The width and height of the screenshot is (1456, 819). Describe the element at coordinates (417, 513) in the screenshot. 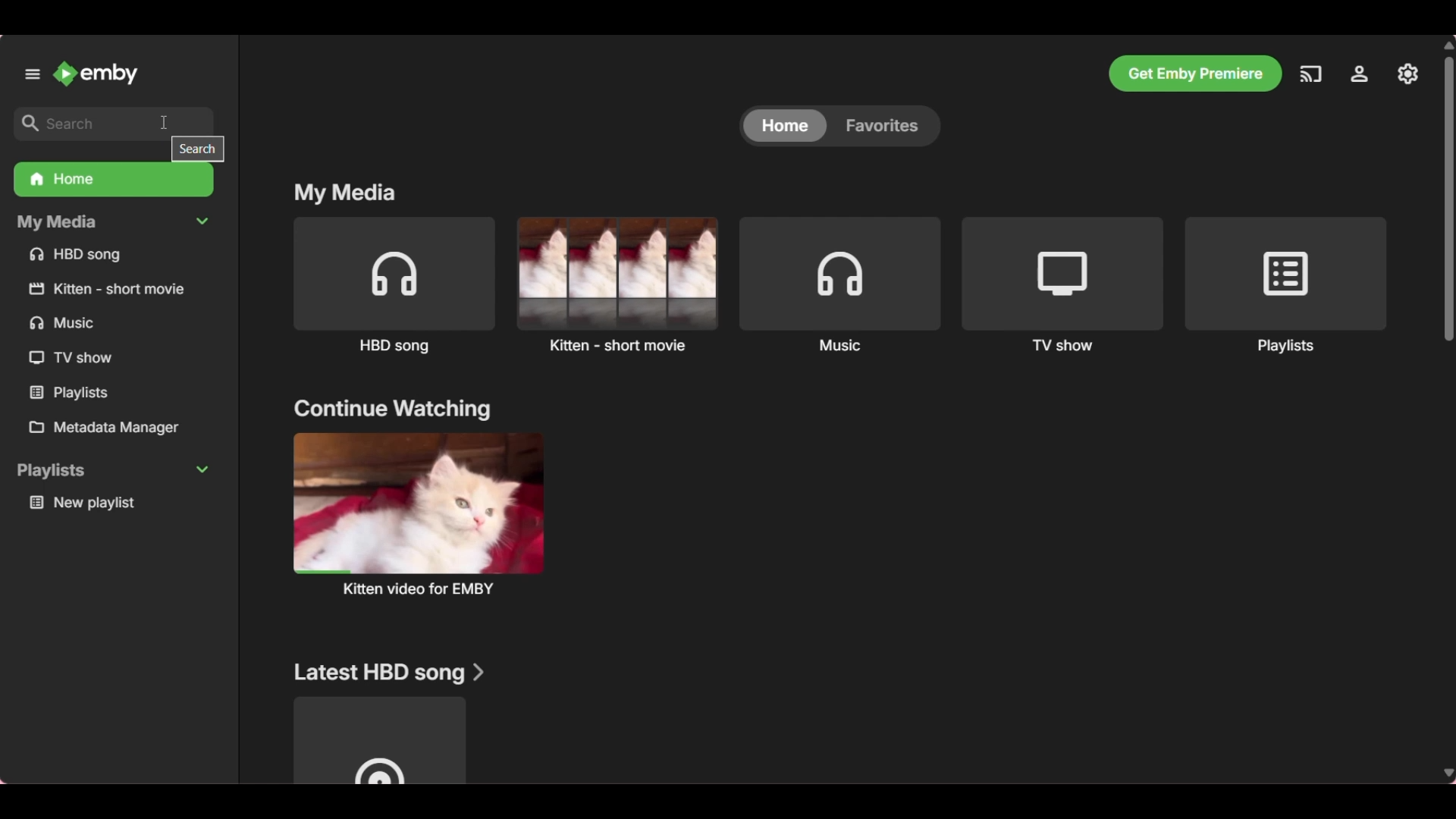

I see `kitten video for EMBY` at that location.